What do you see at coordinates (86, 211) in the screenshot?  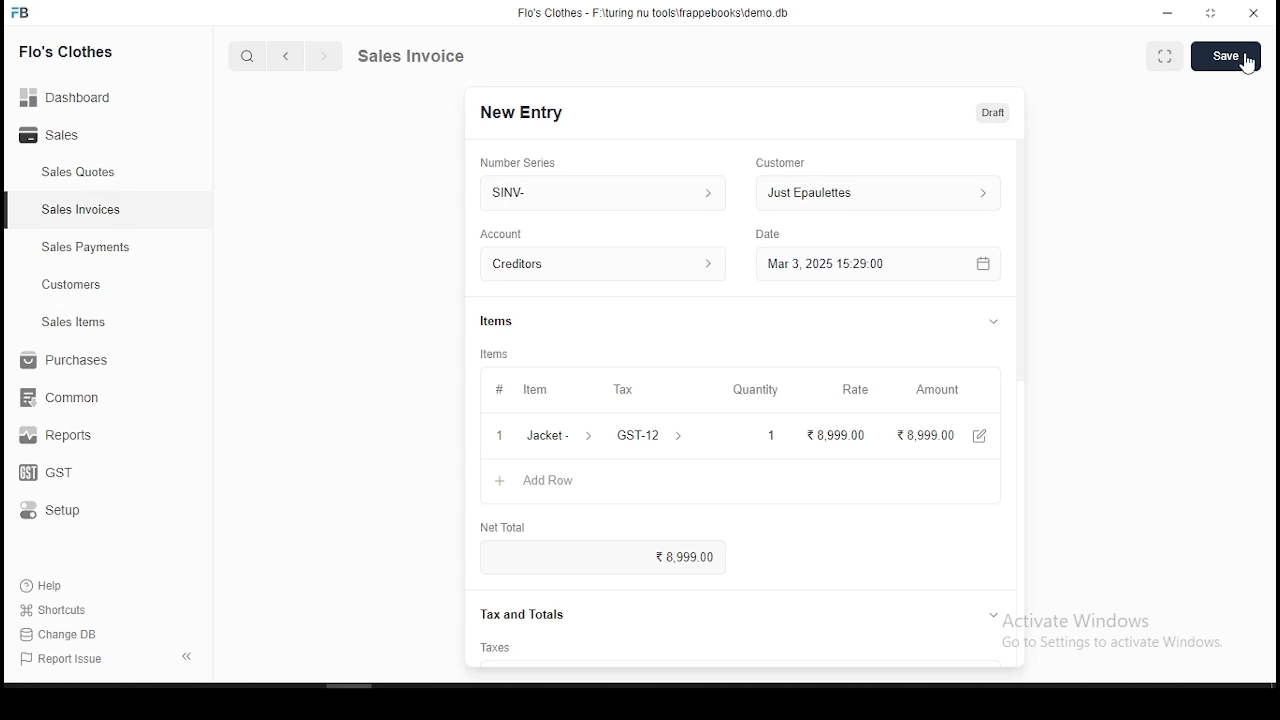 I see `sales invoices` at bounding box center [86, 211].